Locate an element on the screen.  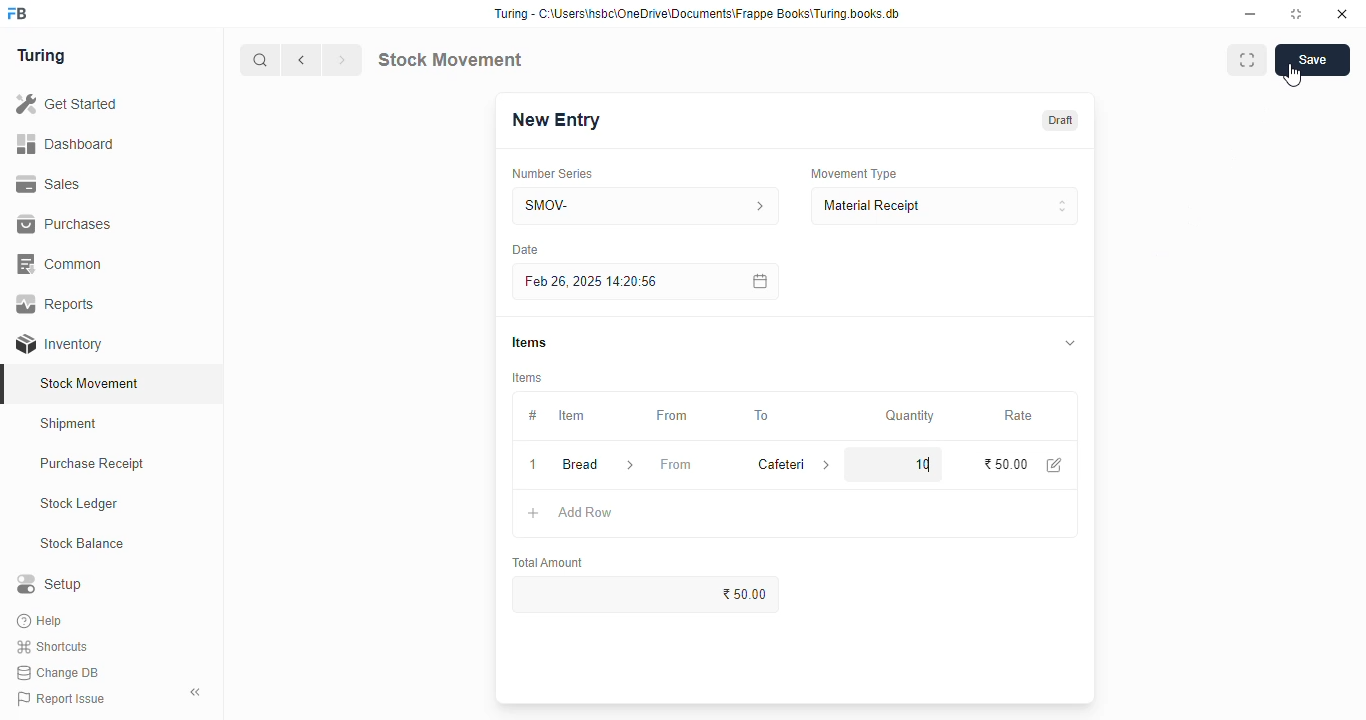
to is located at coordinates (763, 416).